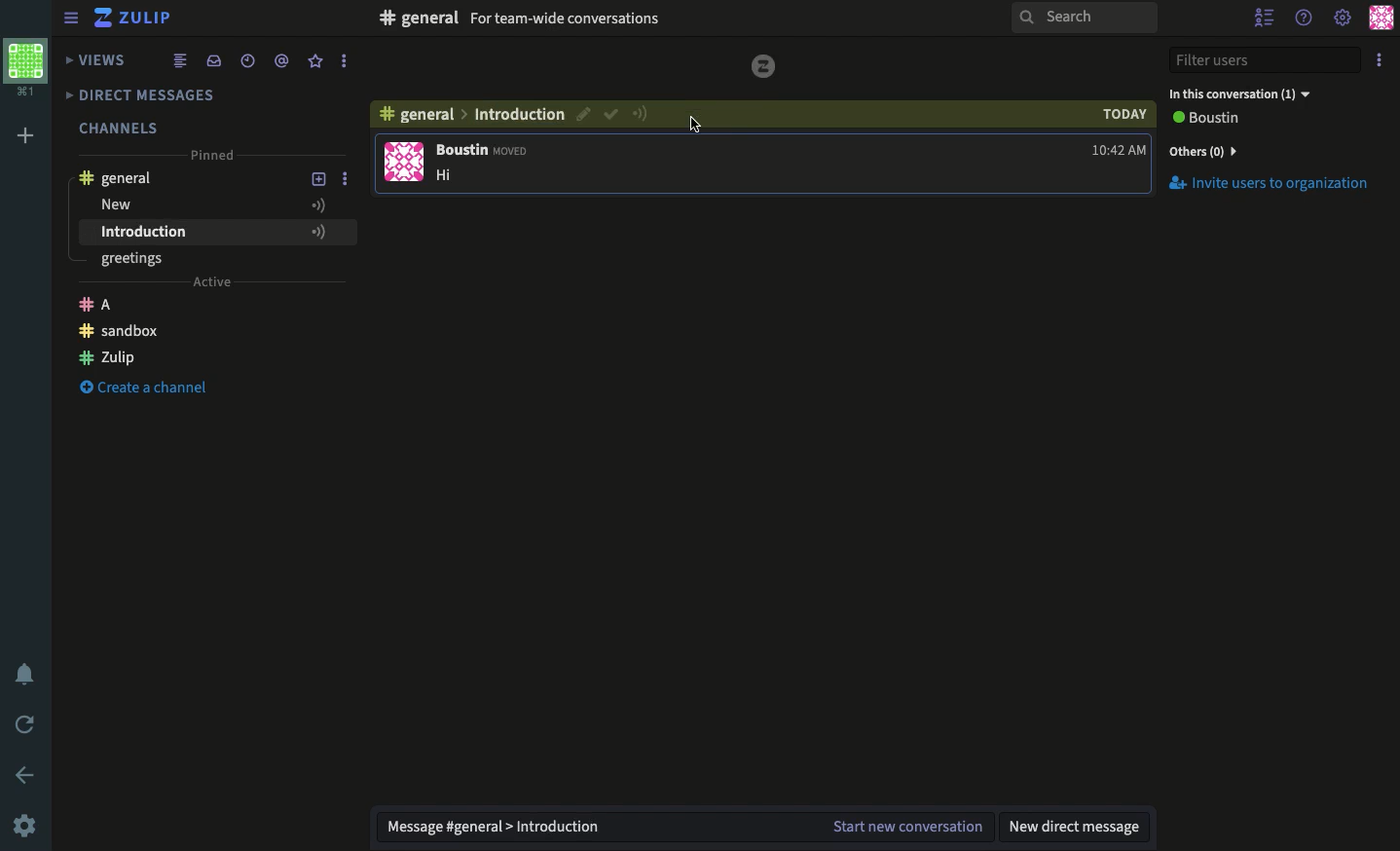 The width and height of the screenshot is (1400, 851). I want to click on Add, so click(319, 179).